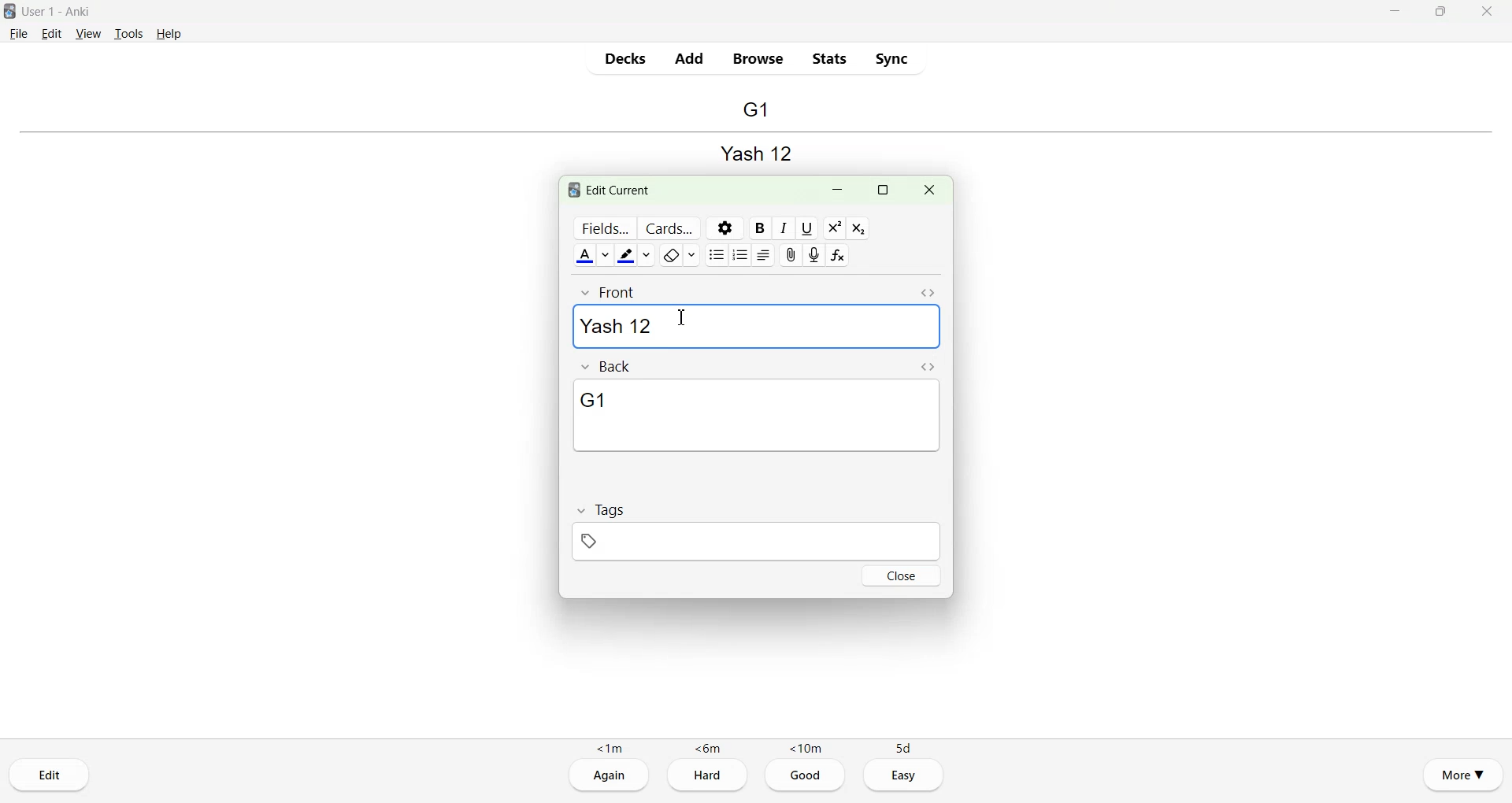 This screenshot has height=803, width=1512. Describe the element at coordinates (695, 255) in the screenshot. I see `Select formatting to remove` at that location.